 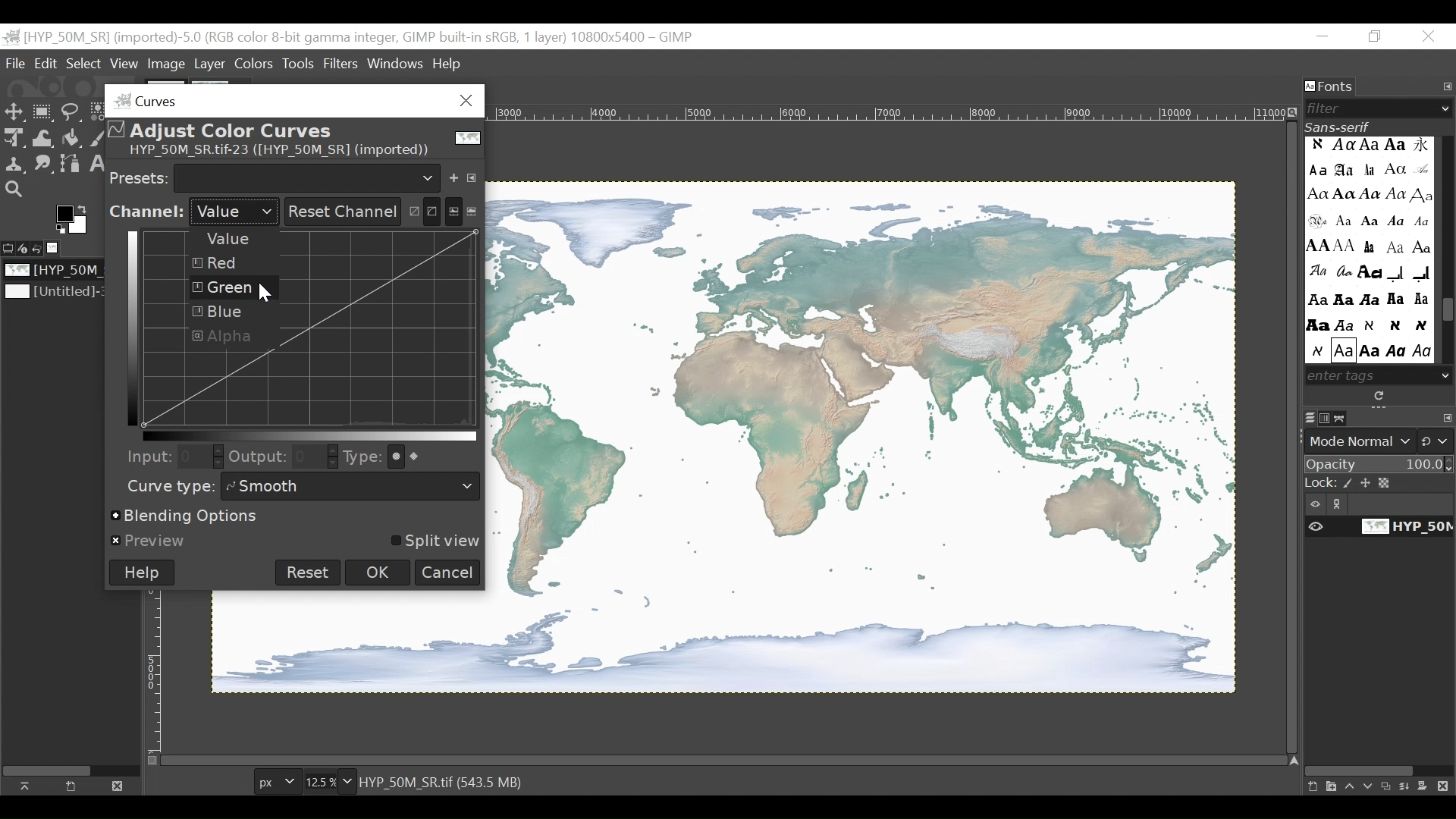 I want to click on Zoom Factor, so click(x=325, y=782).